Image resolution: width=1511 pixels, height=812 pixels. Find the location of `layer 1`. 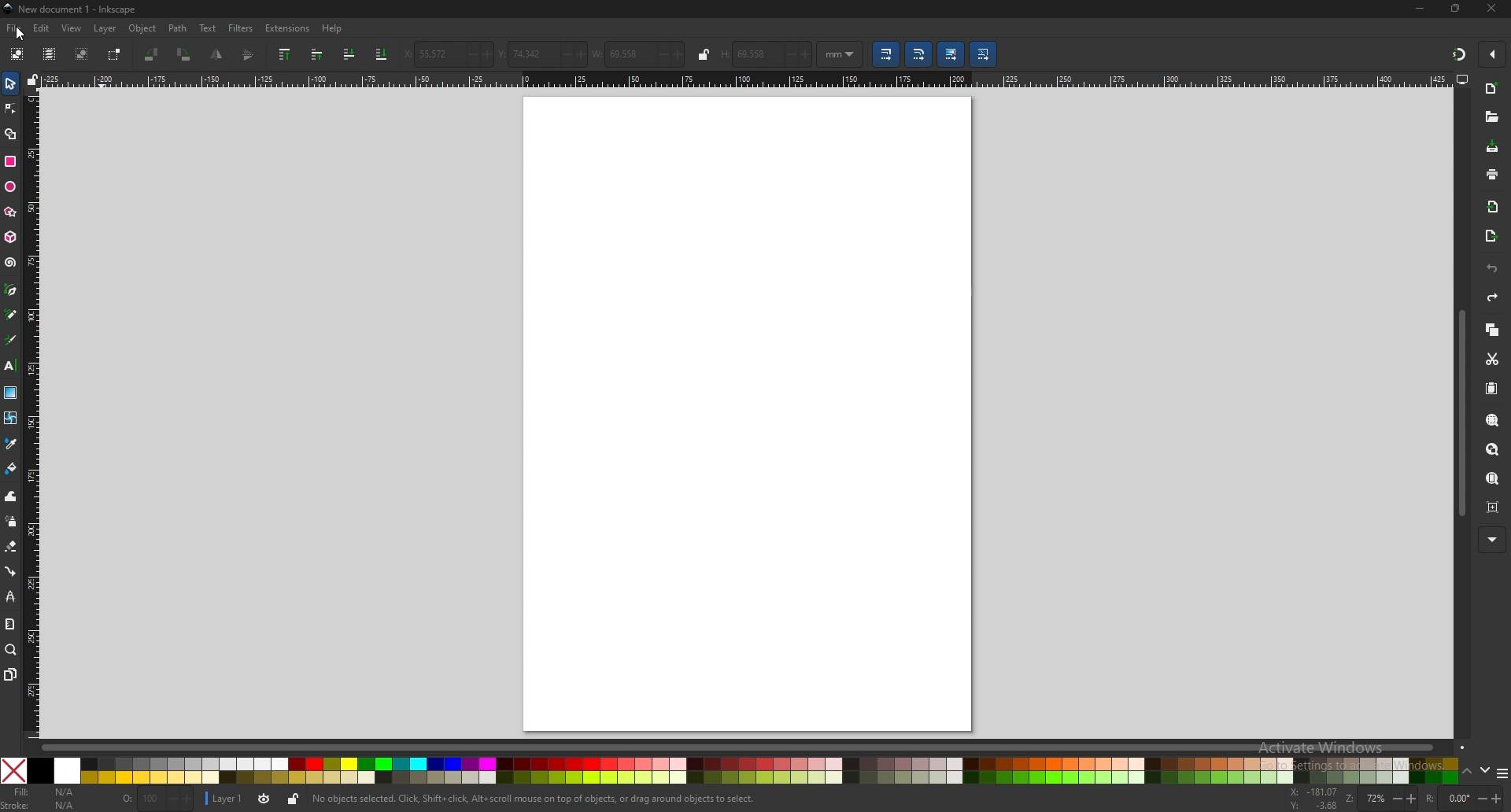

layer 1 is located at coordinates (224, 799).